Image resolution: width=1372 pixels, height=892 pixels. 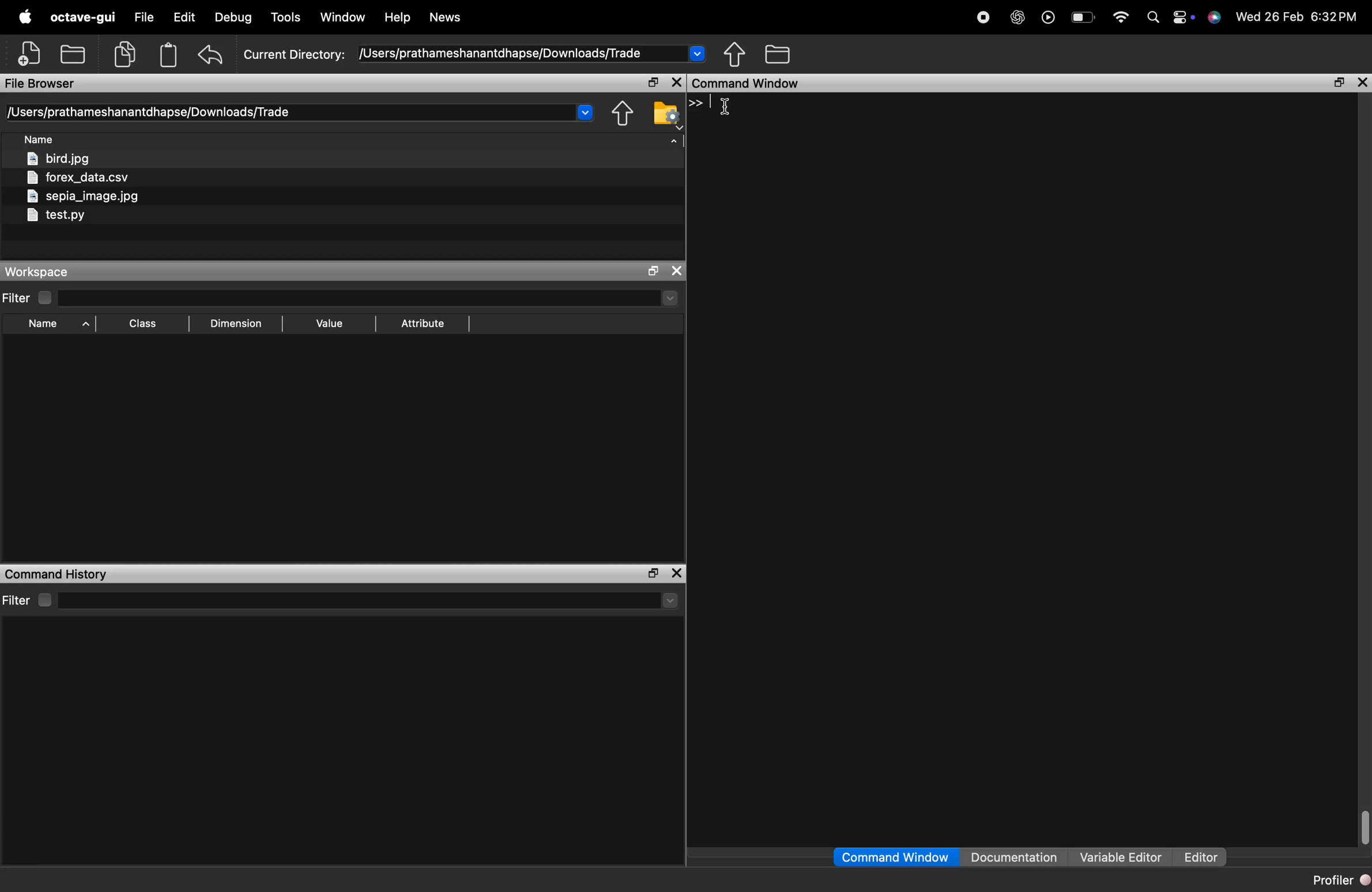 I want to click on current directory, so click(x=475, y=54).